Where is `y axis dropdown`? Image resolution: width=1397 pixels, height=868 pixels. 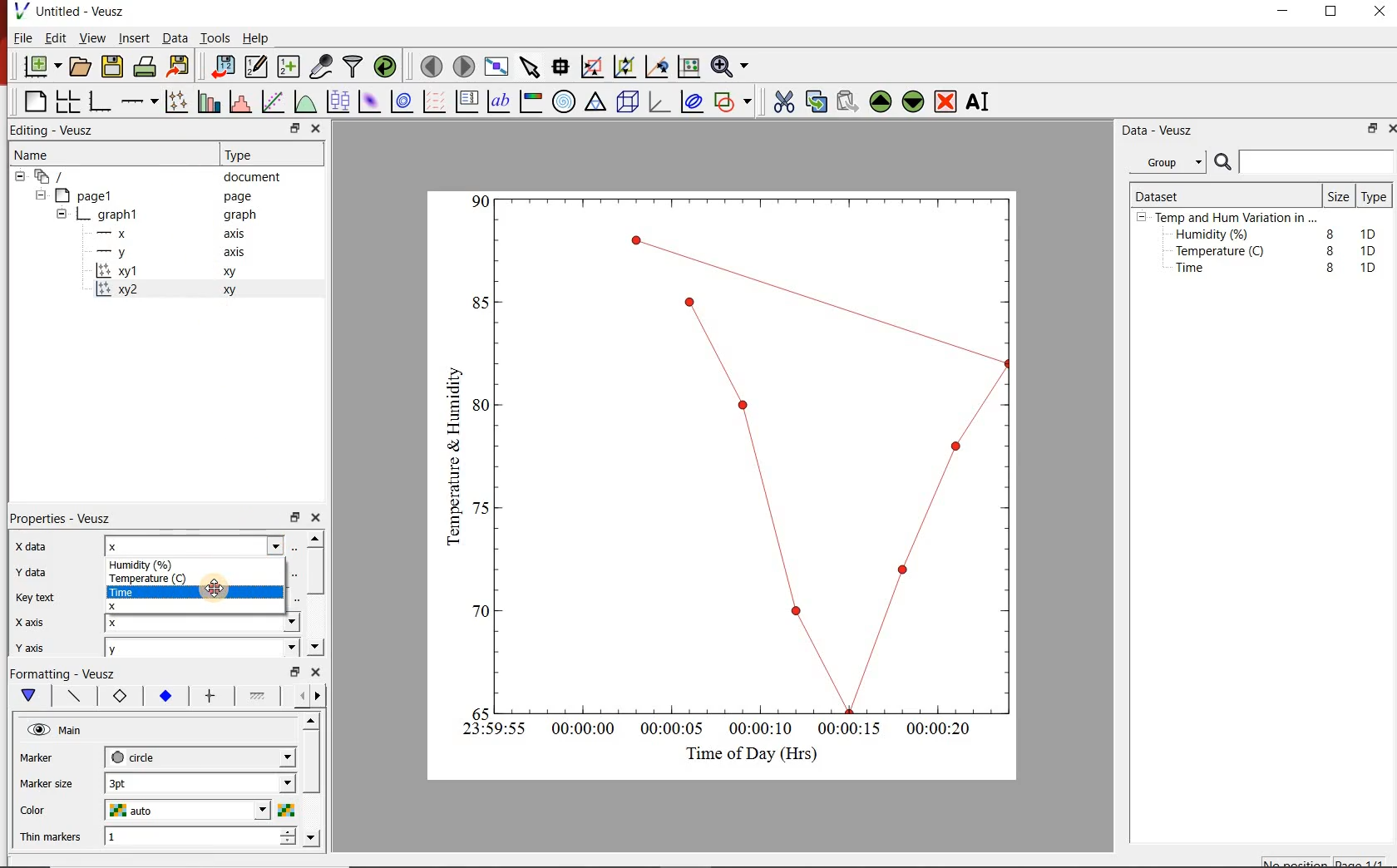
y axis dropdown is located at coordinates (259, 650).